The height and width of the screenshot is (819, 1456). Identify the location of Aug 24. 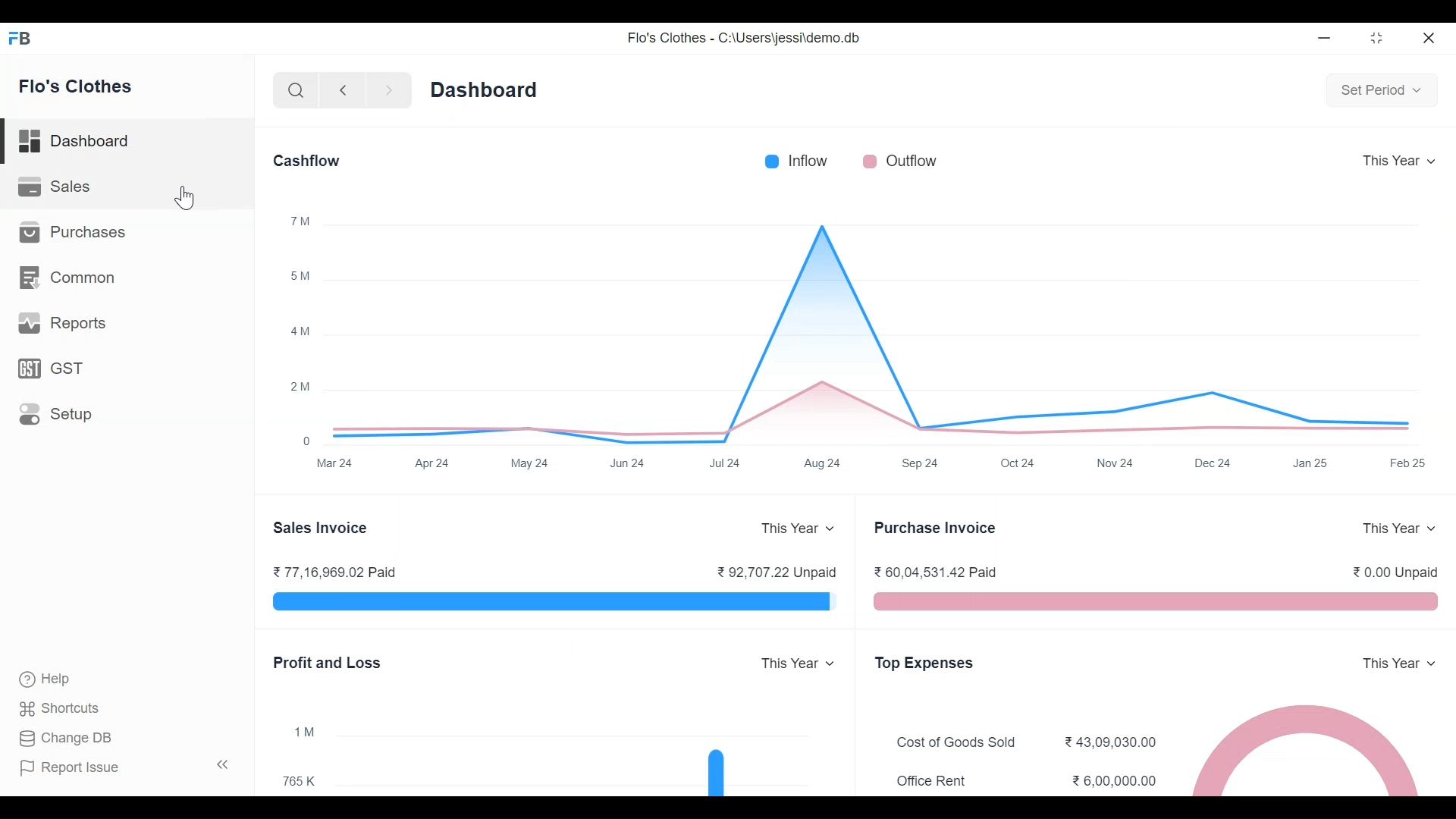
(825, 464).